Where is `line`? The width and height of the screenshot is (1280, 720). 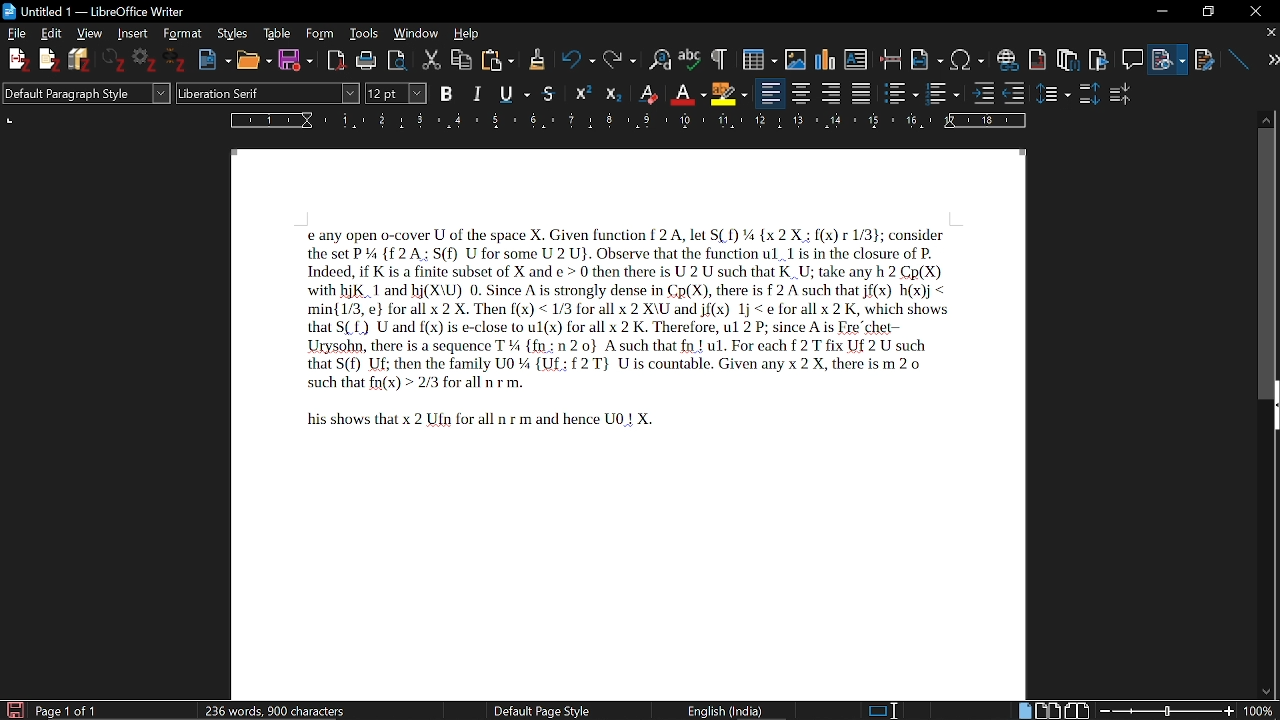 line is located at coordinates (1236, 56).